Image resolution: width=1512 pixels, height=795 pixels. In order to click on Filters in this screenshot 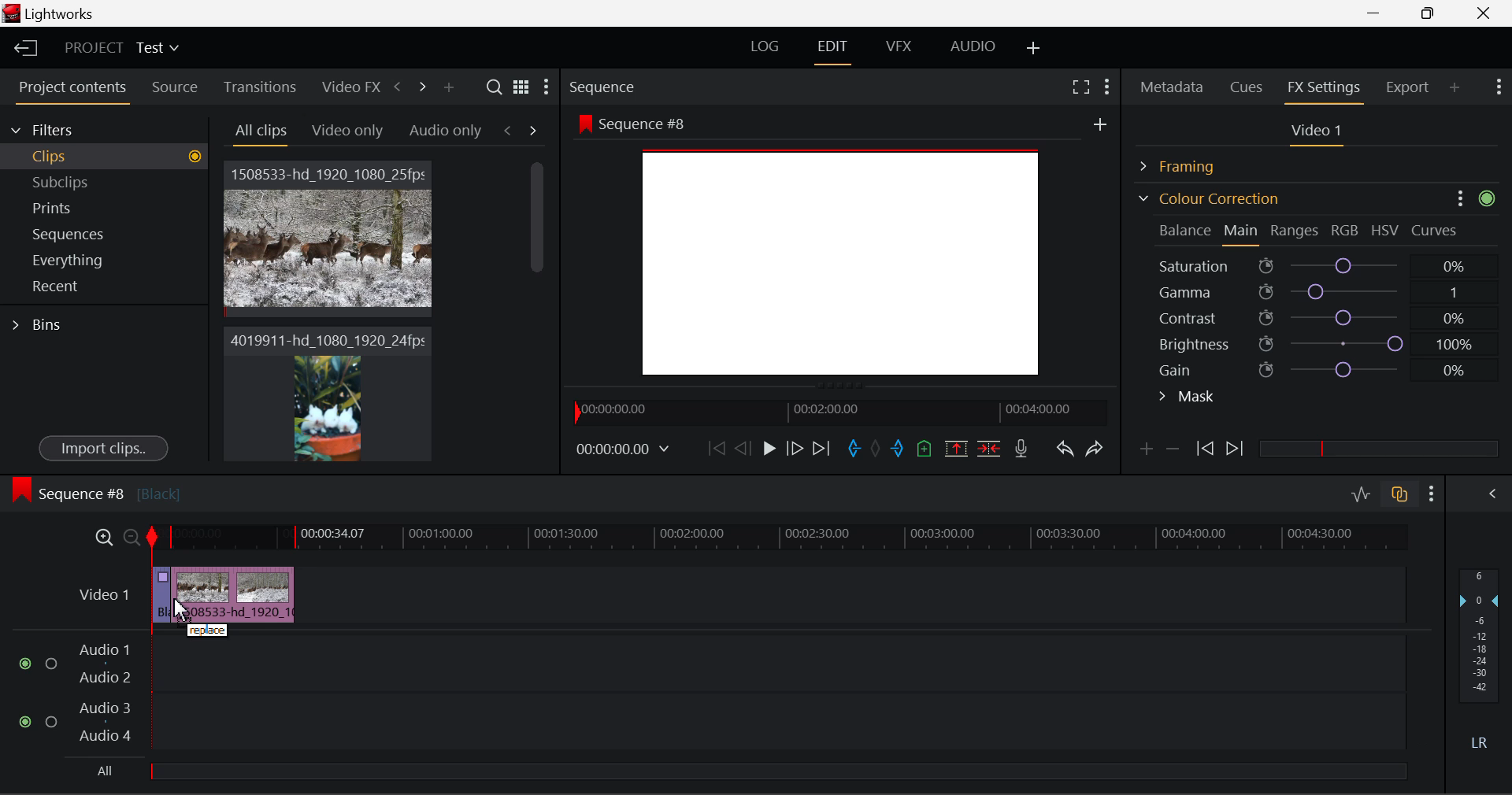, I will do `click(57, 128)`.